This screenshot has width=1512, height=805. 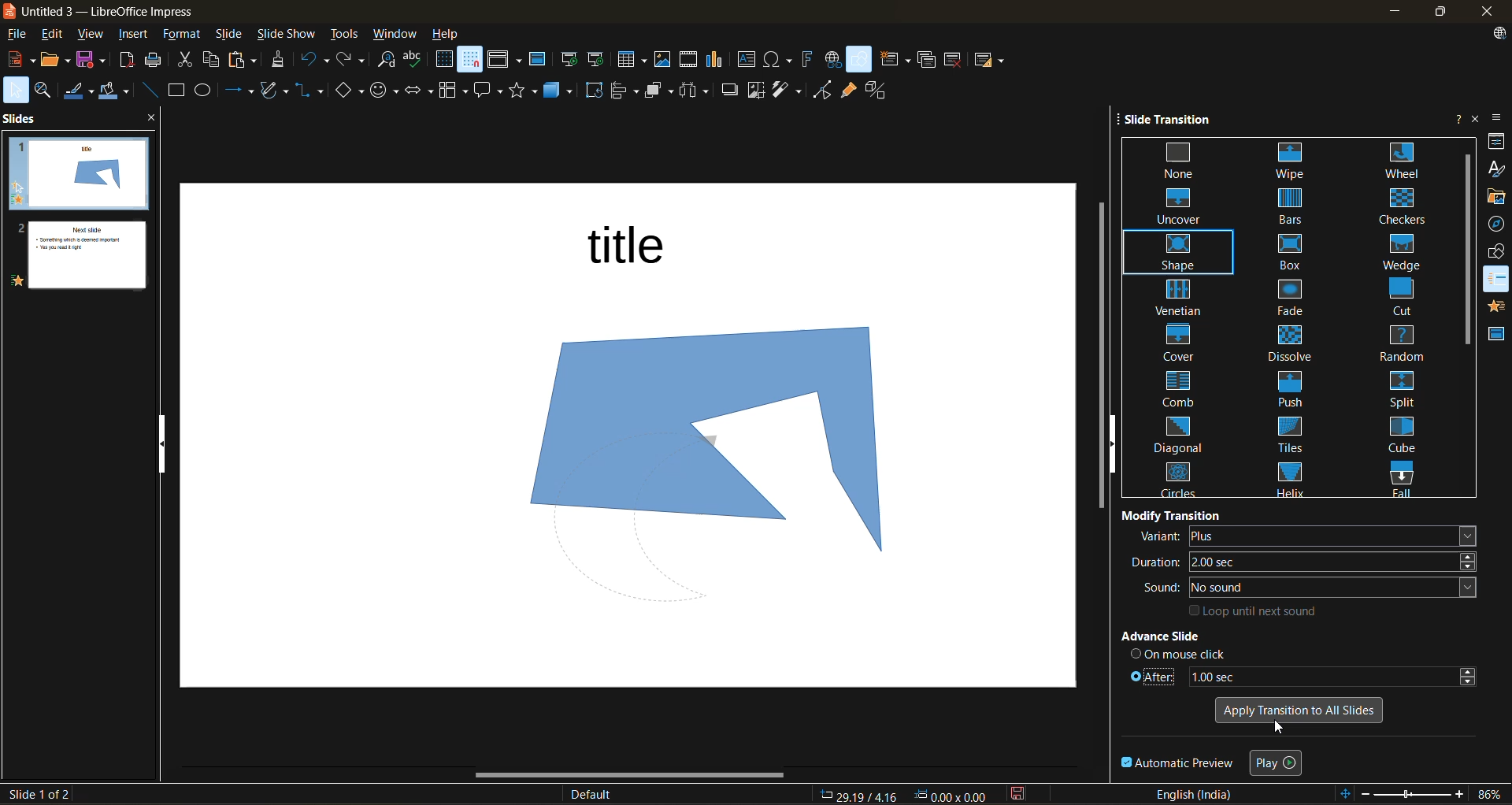 What do you see at coordinates (1297, 708) in the screenshot?
I see `apply transition to all slides` at bounding box center [1297, 708].